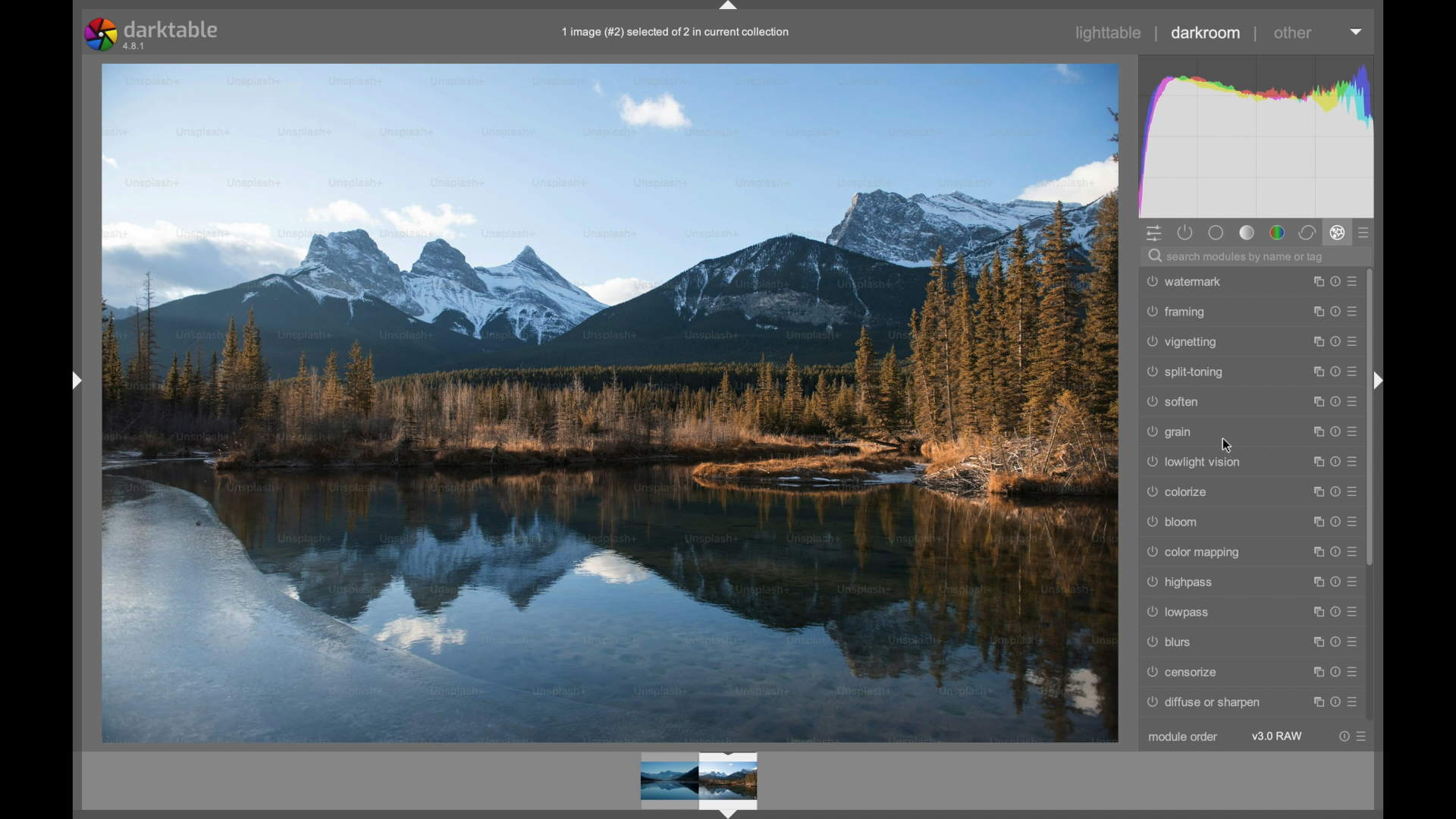 This screenshot has height=819, width=1456. What do you see at coordinates (1335, 611) in the screenshot?
I see `reset parameters` at bounding box center [1335, 611].